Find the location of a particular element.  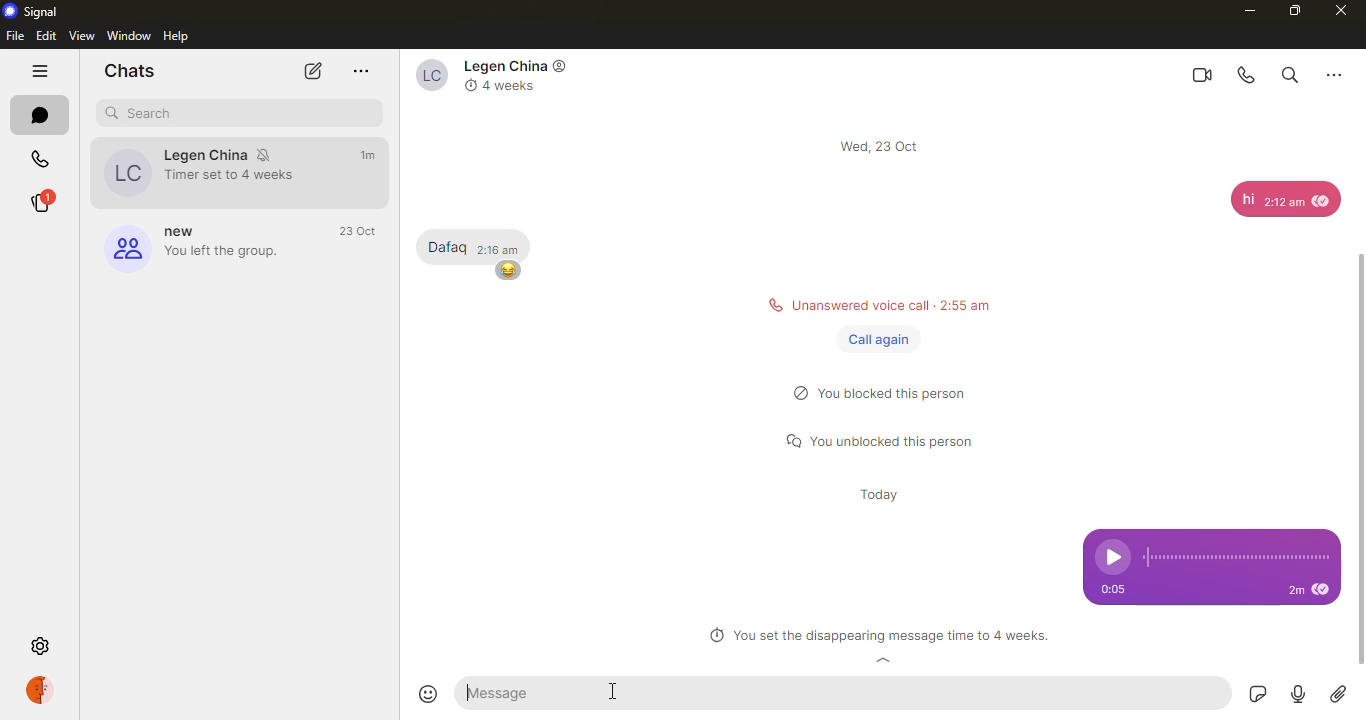

call again is located at coordinates (879, 340).